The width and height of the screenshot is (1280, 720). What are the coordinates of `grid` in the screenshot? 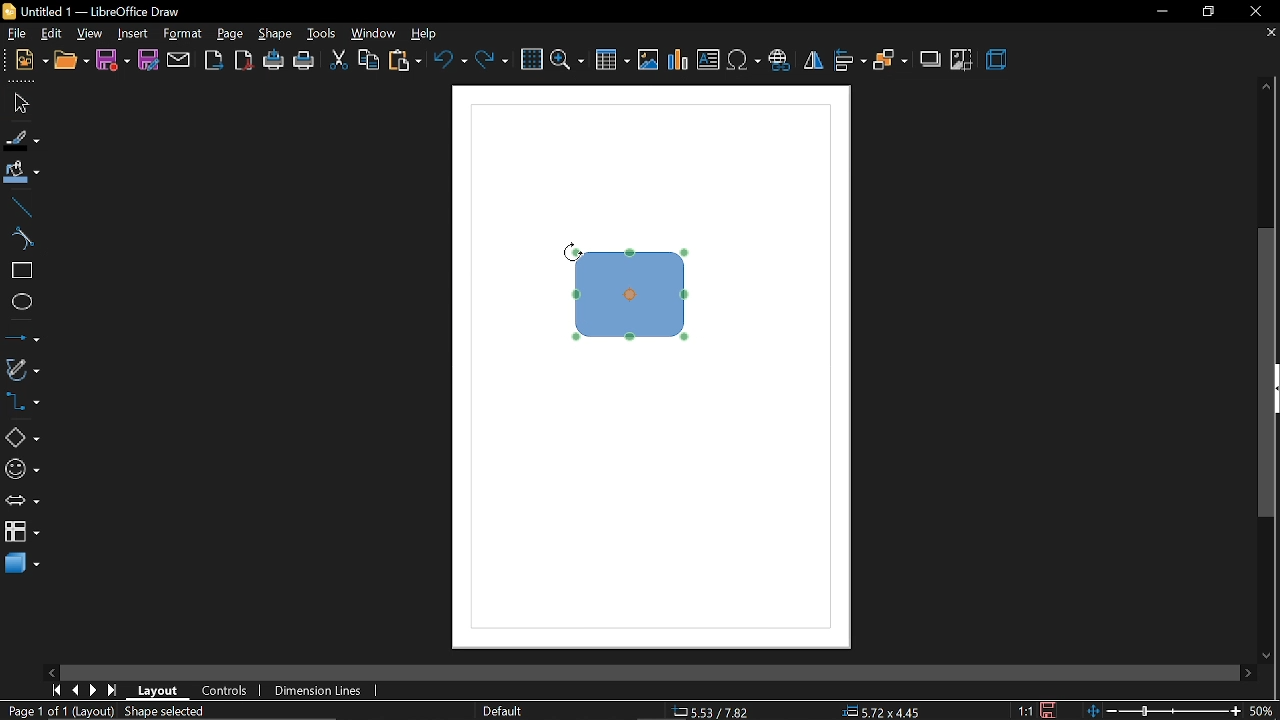 It's located at (532, 59).